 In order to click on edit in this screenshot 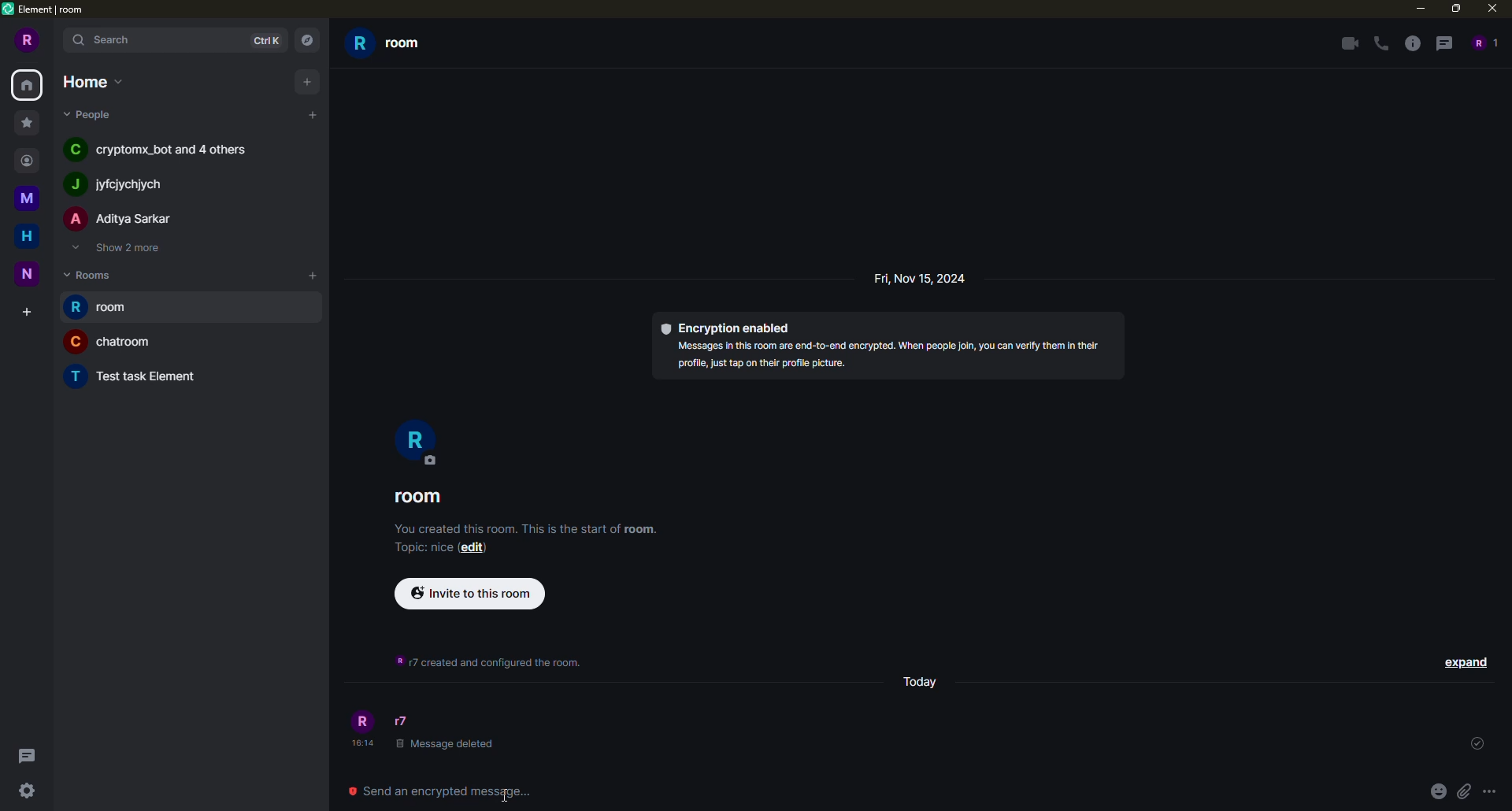, I will do `click(472, 547)`.